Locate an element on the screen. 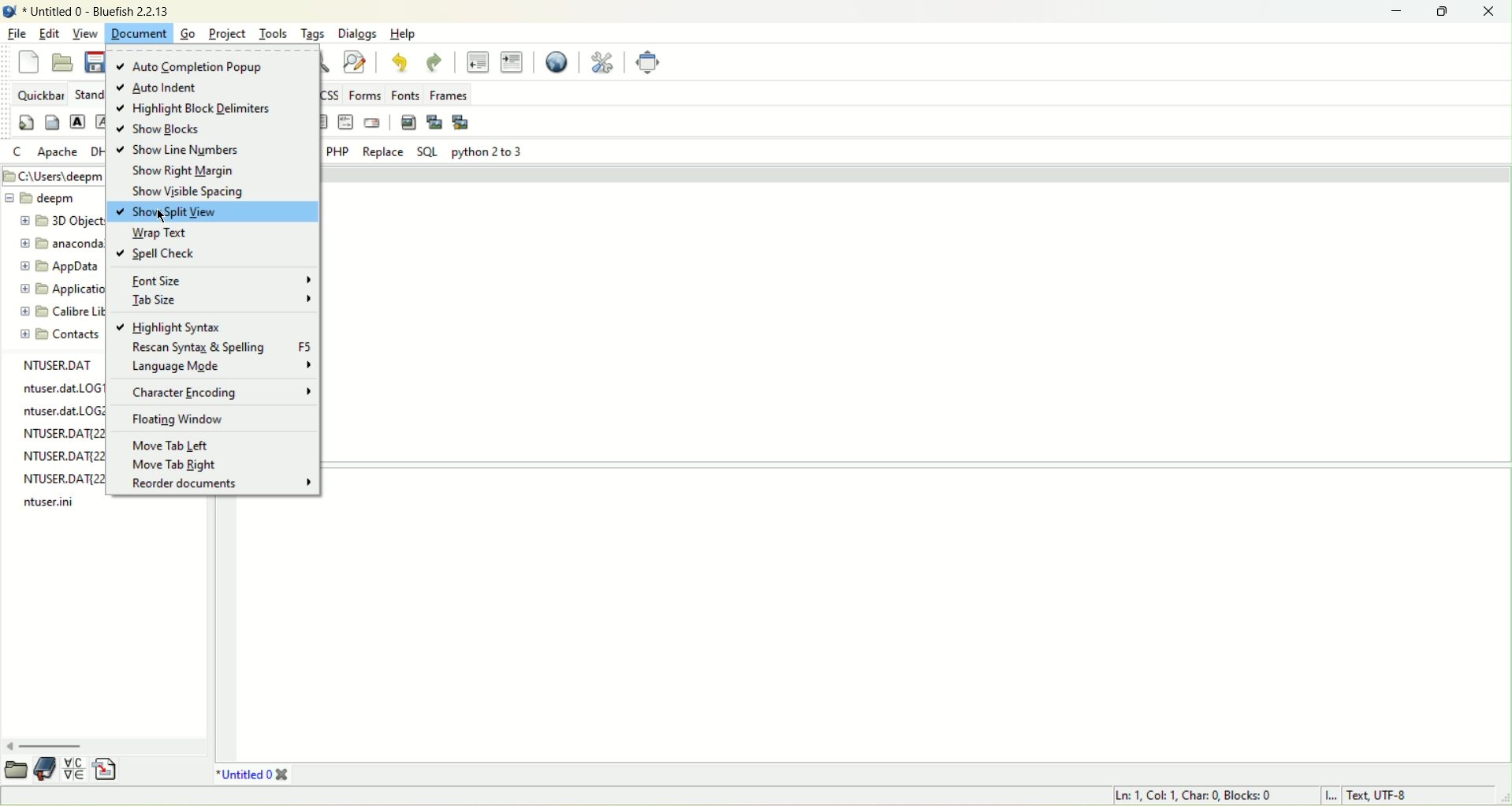  show split view is located at coordinates (196, 211).